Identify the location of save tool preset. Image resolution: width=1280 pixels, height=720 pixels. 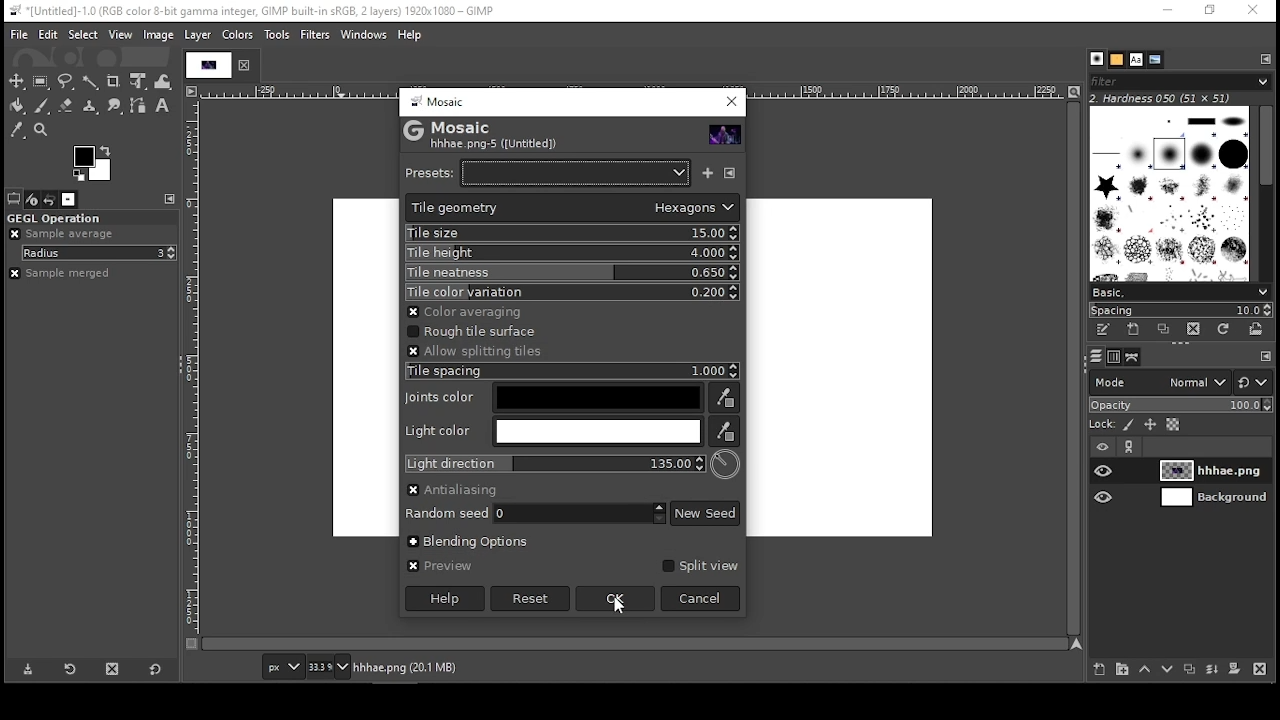
(28, 669).